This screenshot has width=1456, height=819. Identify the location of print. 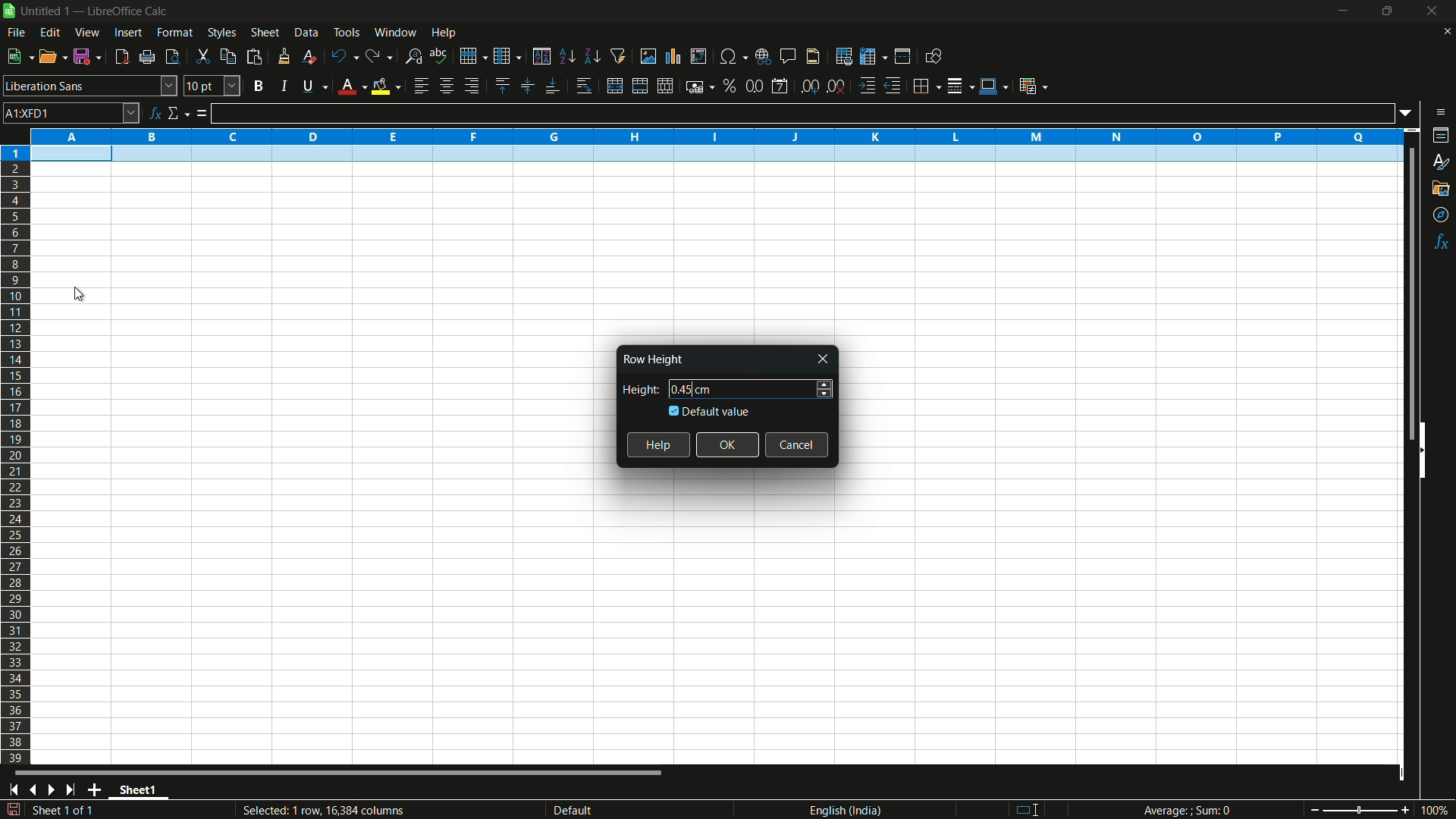
(147, 58).